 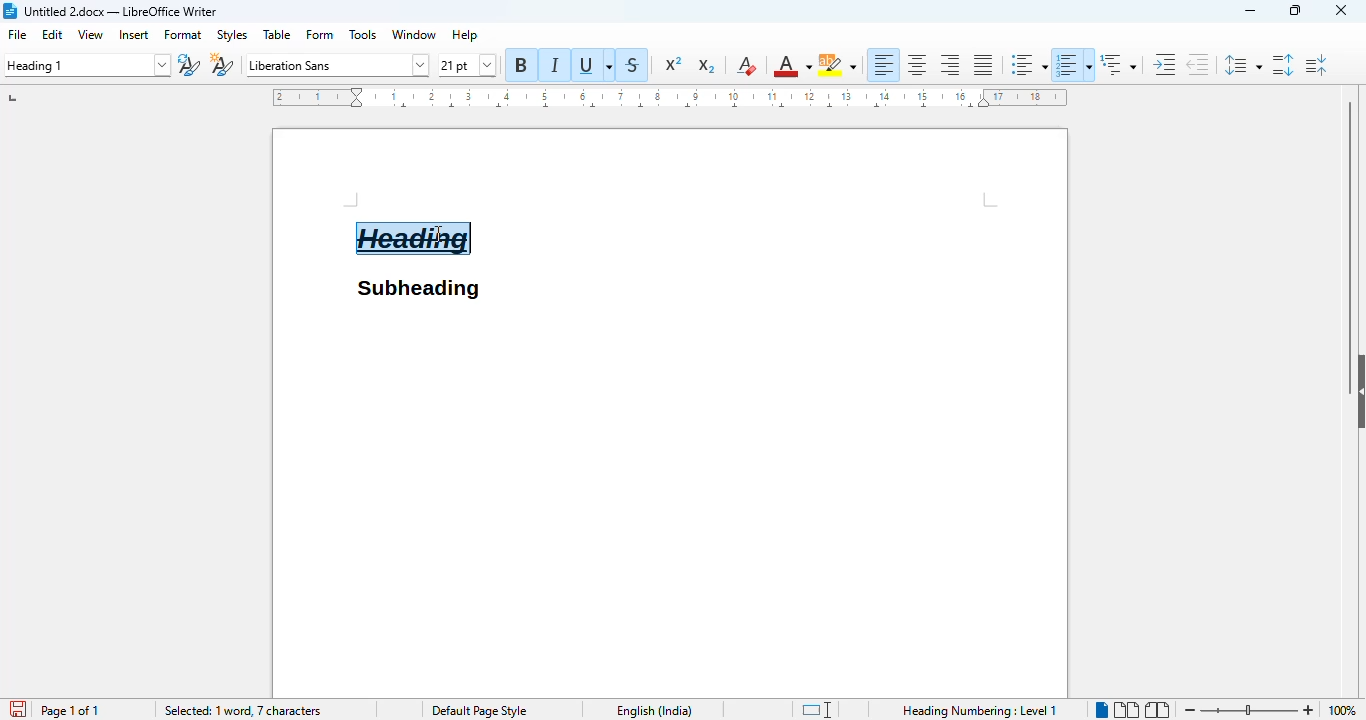 I want to click on zoom out, so click(x=1188, y=710).